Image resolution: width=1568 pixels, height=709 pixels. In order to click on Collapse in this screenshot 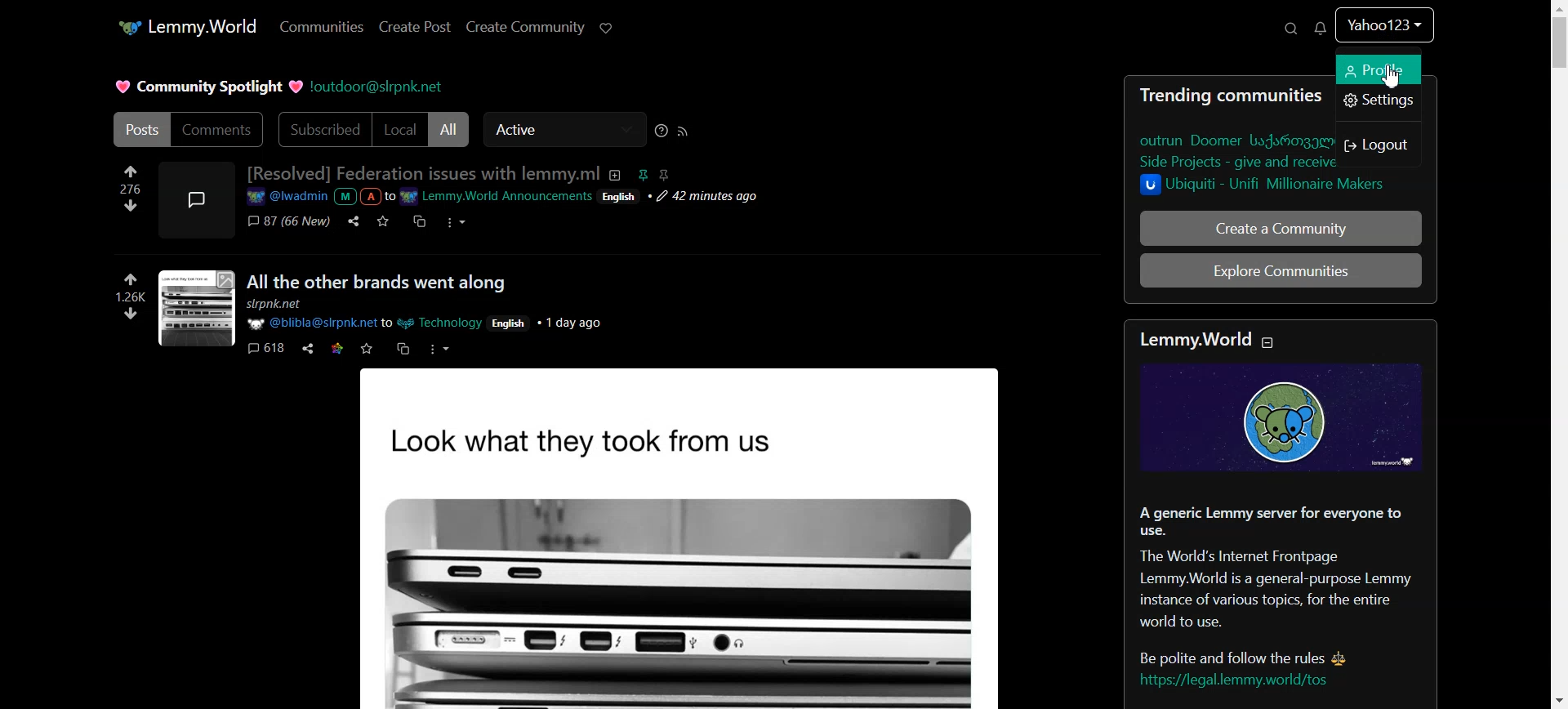, I will do `click(1267, 342)`.